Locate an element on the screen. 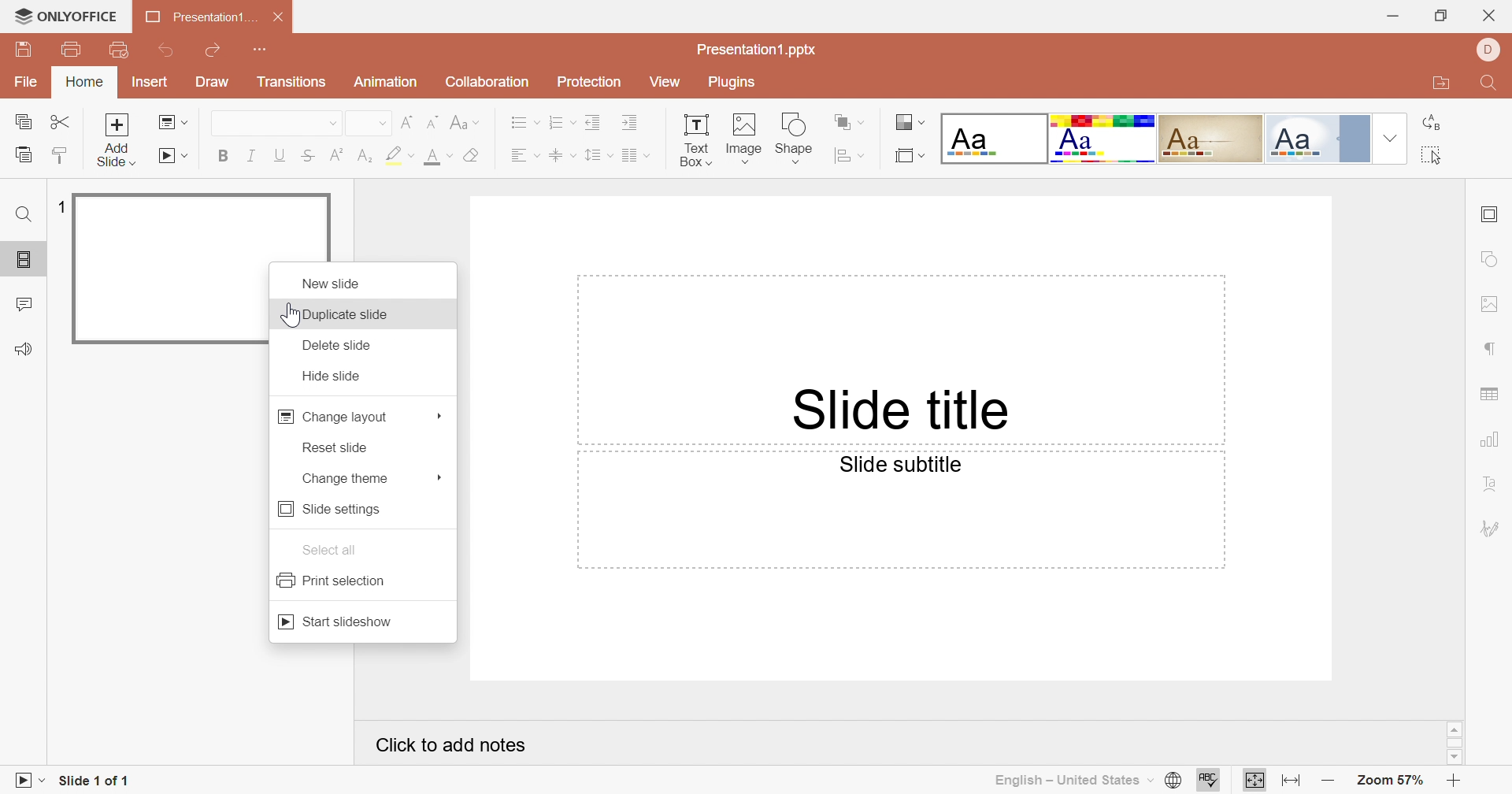 The width and height of the screenshot is (1512, 794). Drop Down is located at coordinates (930, 123).